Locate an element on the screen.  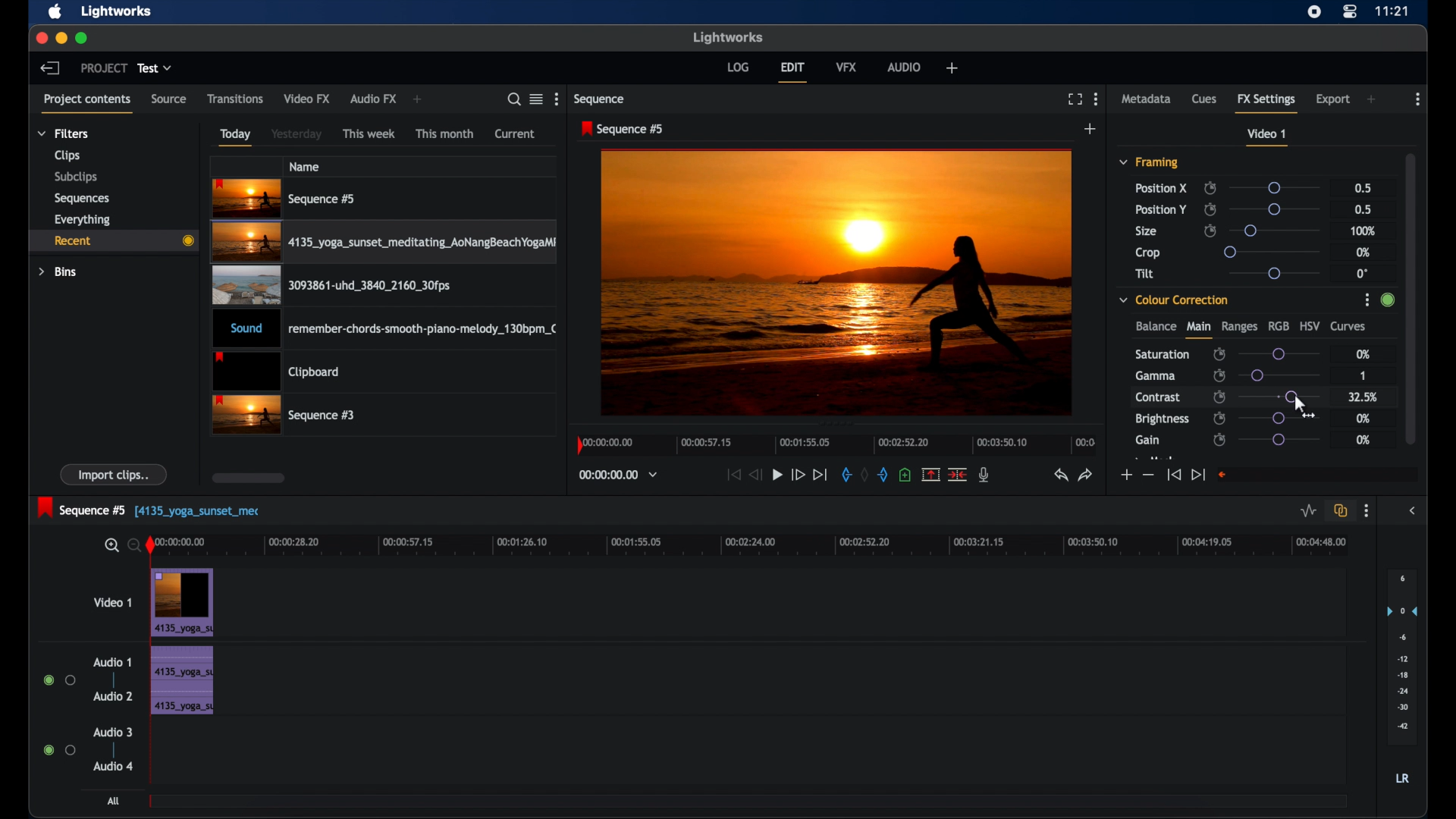
audio clip is located at coordinates (387, 330).